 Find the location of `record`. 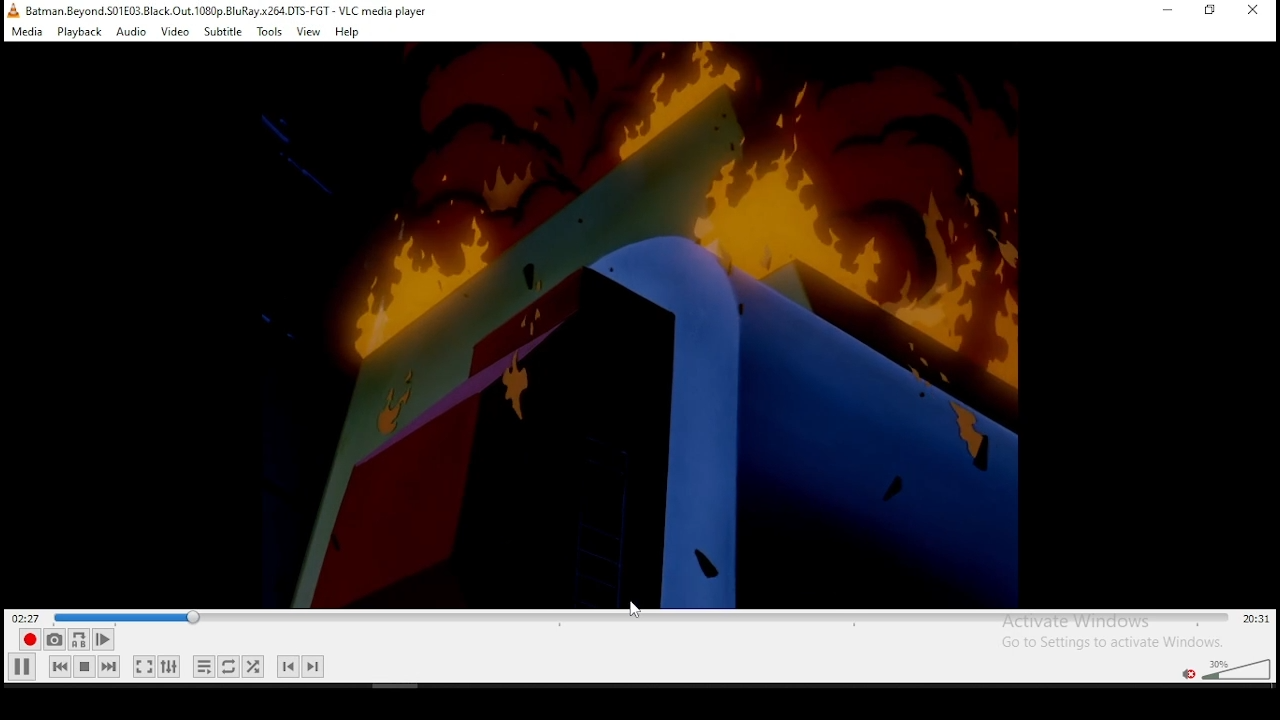

record is located at coordinates (27, 640).